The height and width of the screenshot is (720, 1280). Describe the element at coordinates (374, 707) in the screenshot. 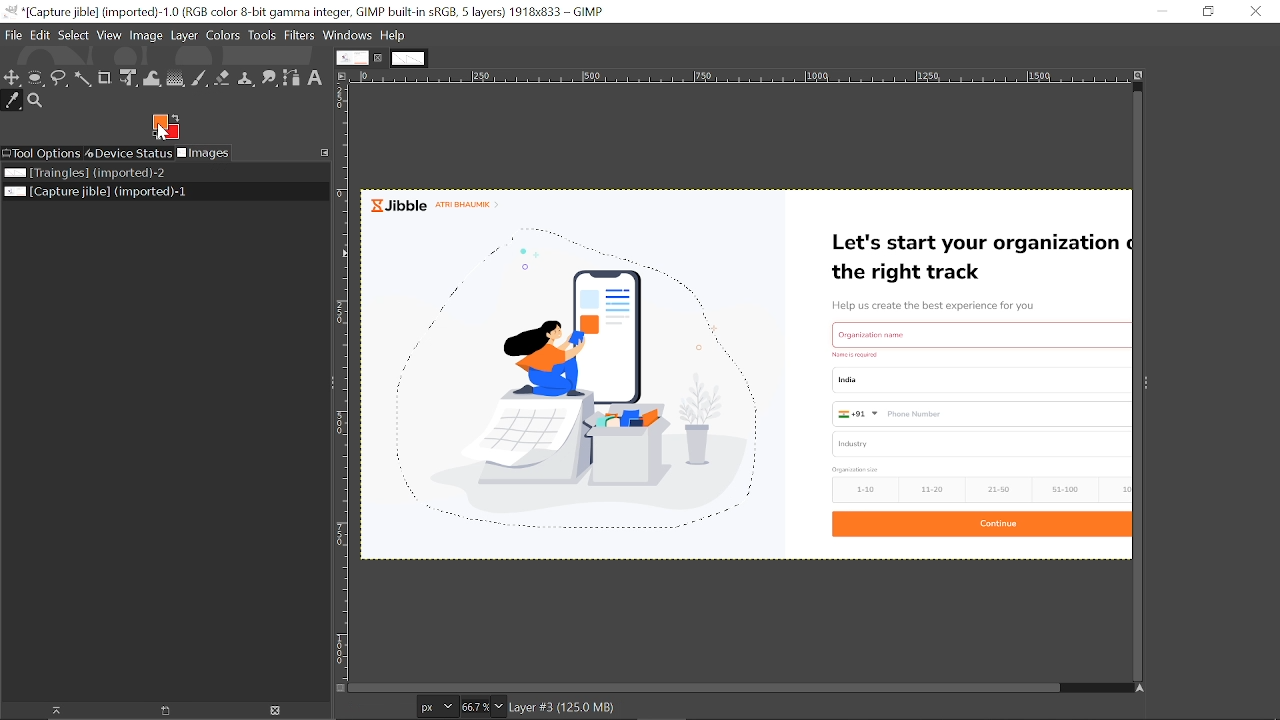

I see `1116,736` at that location.